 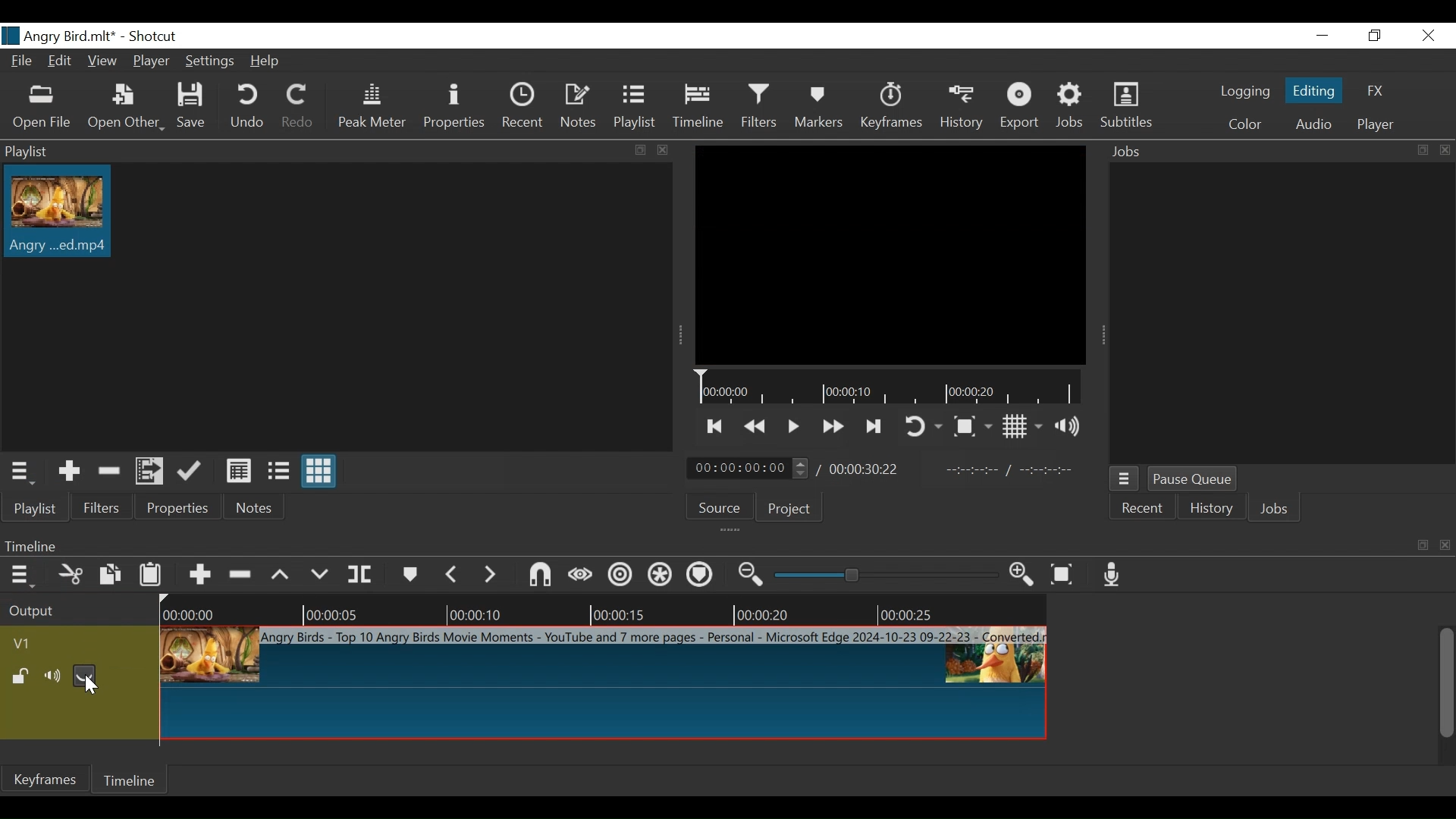 What do you see at coordinates (102, 505) in the screenshot?
I see `Filters` at bounding box center [102, 505].